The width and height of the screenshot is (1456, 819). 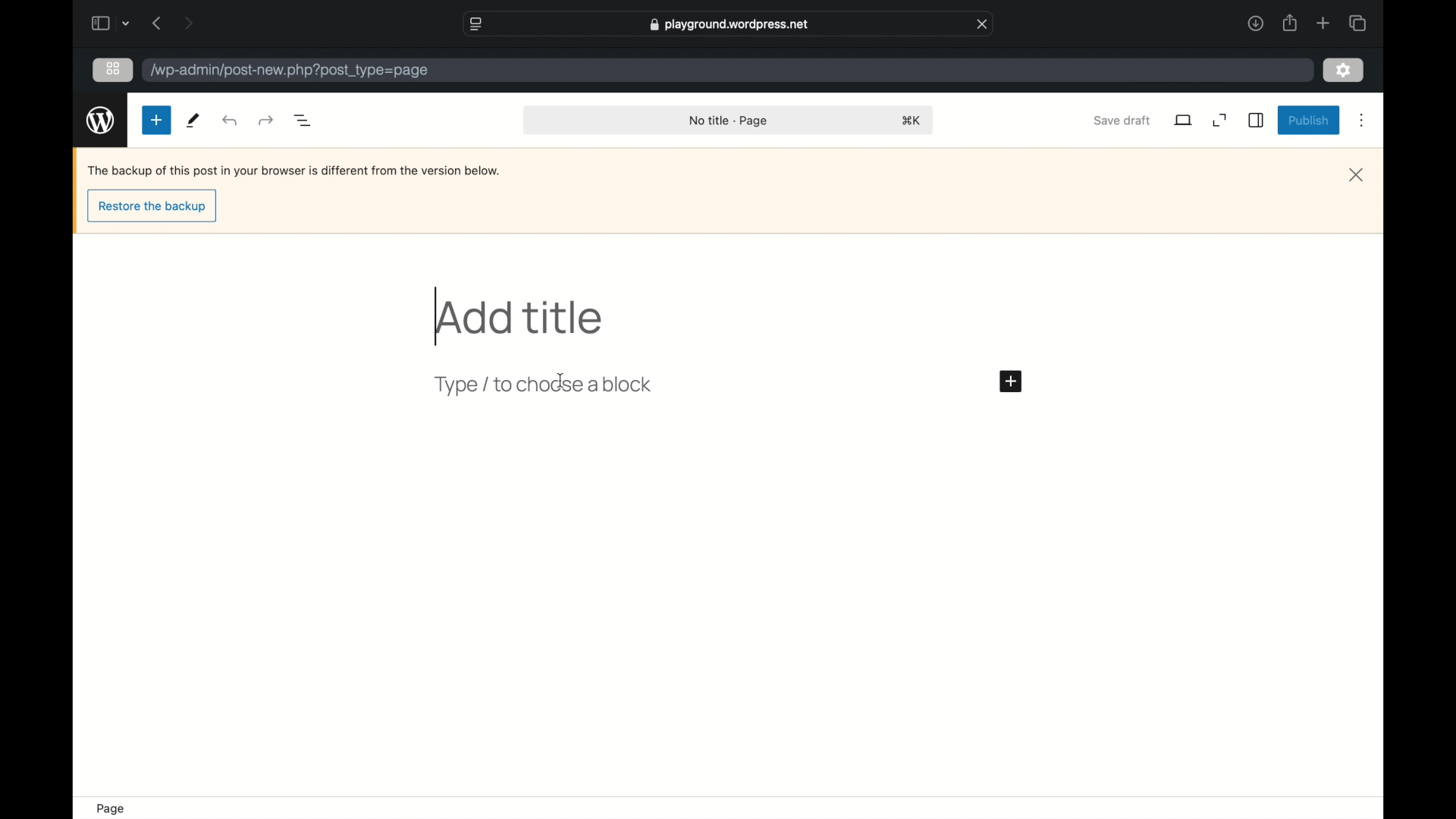 I want to click on undo, so click(x=267, y=120).